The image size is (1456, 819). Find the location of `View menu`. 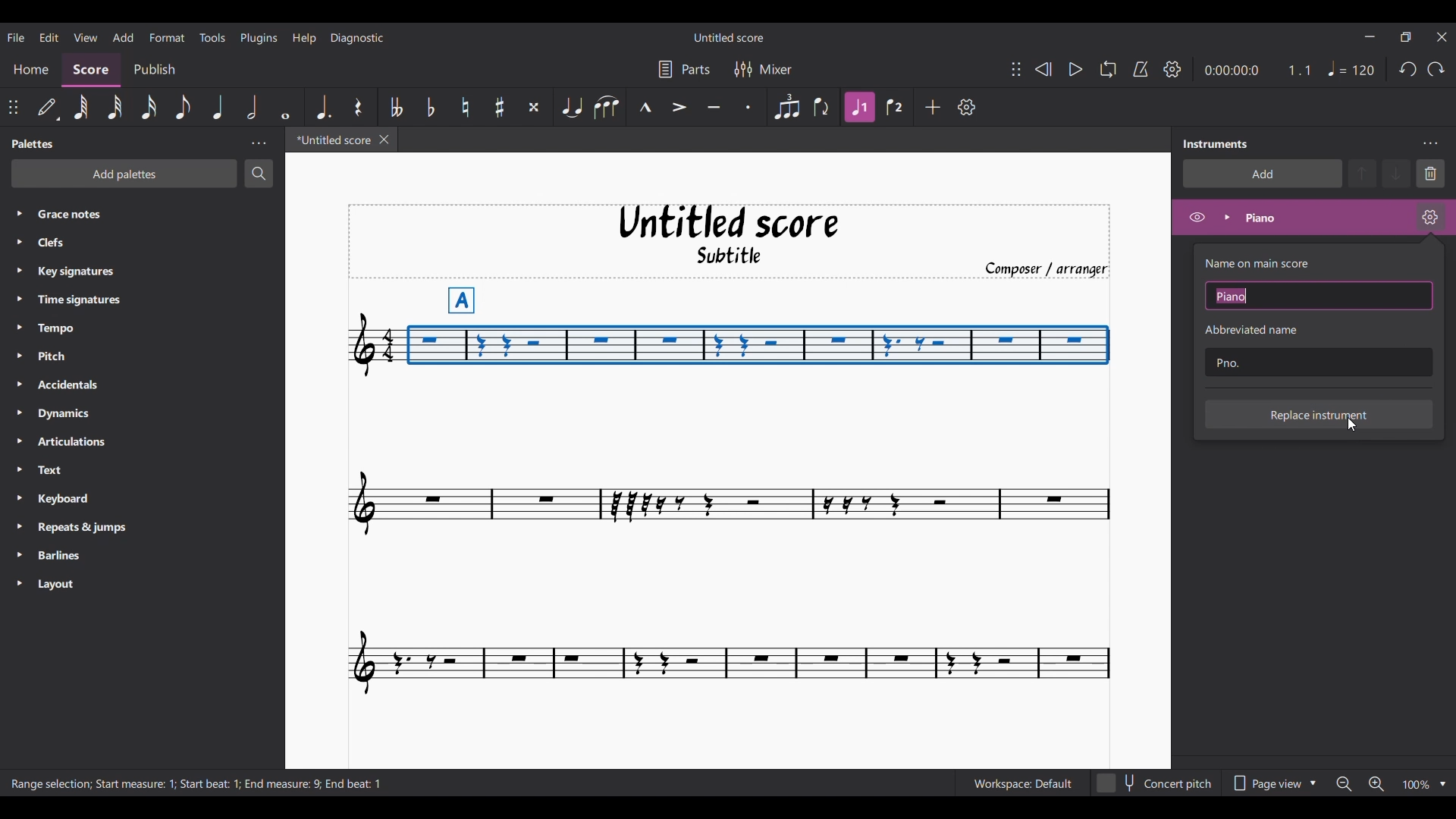

View menu is located at coordinates (84, 36).